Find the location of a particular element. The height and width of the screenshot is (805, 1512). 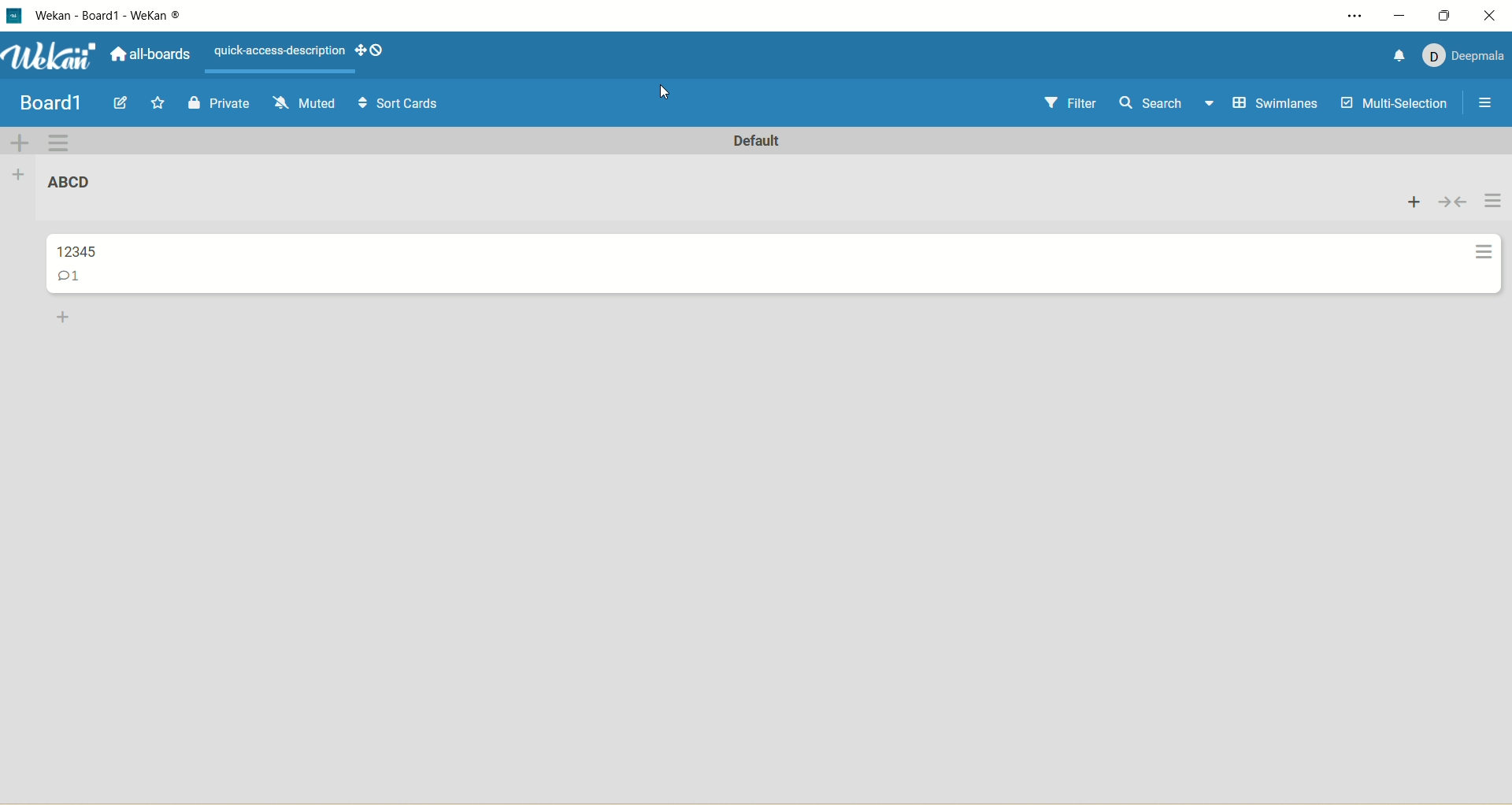

favorite is located at coordinates (154, 106).